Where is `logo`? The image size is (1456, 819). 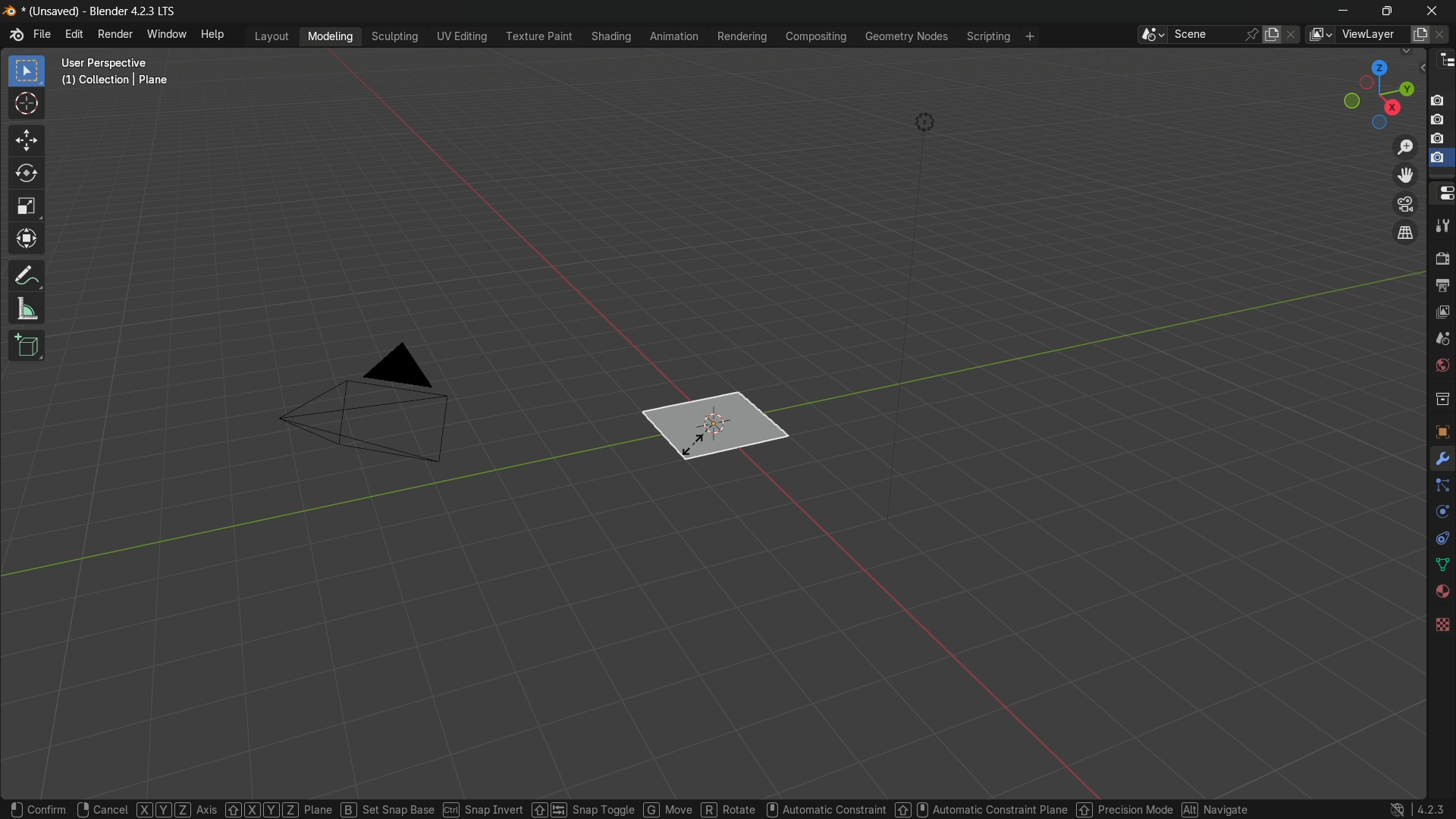
logo is located at coordinates (14, 37).